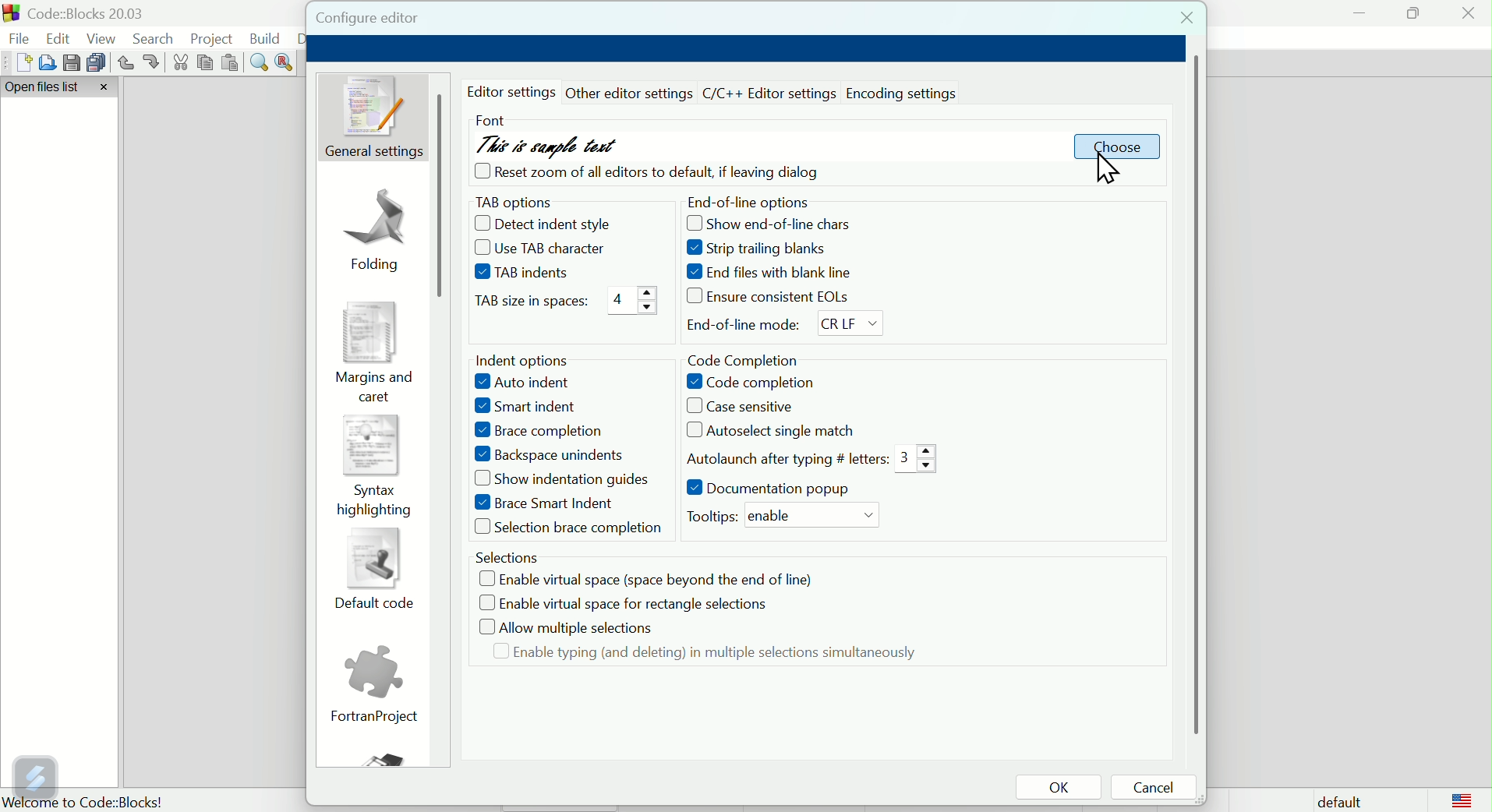 The height and width of the screenshot is (812, 1492). Describe the element at coordinates (371, 351) in the screenshot. I see `Margins and caret` at that location.